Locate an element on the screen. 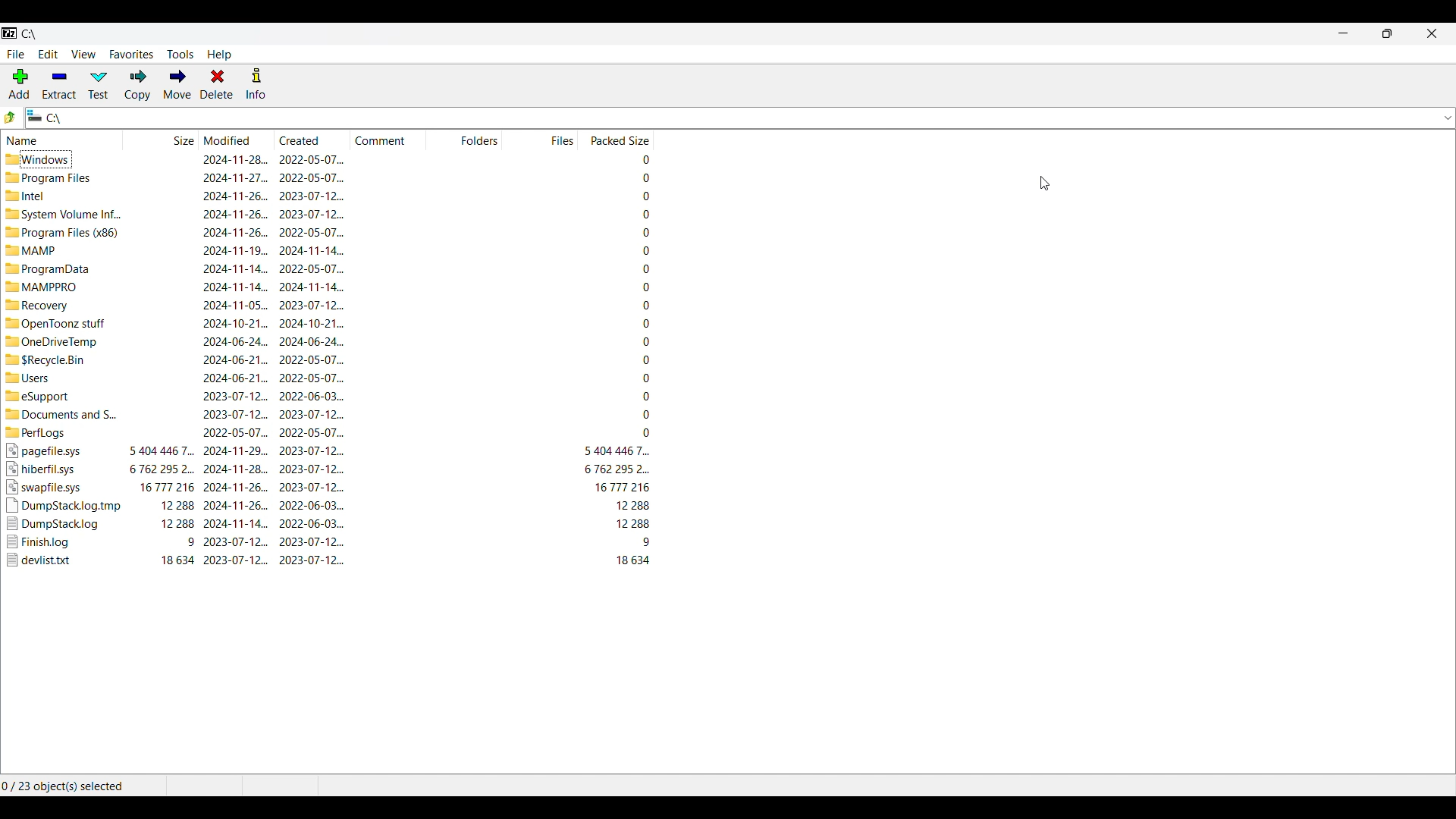 This screenshot has height=819, width=1456. Created column is located at coordinates (313, 140).